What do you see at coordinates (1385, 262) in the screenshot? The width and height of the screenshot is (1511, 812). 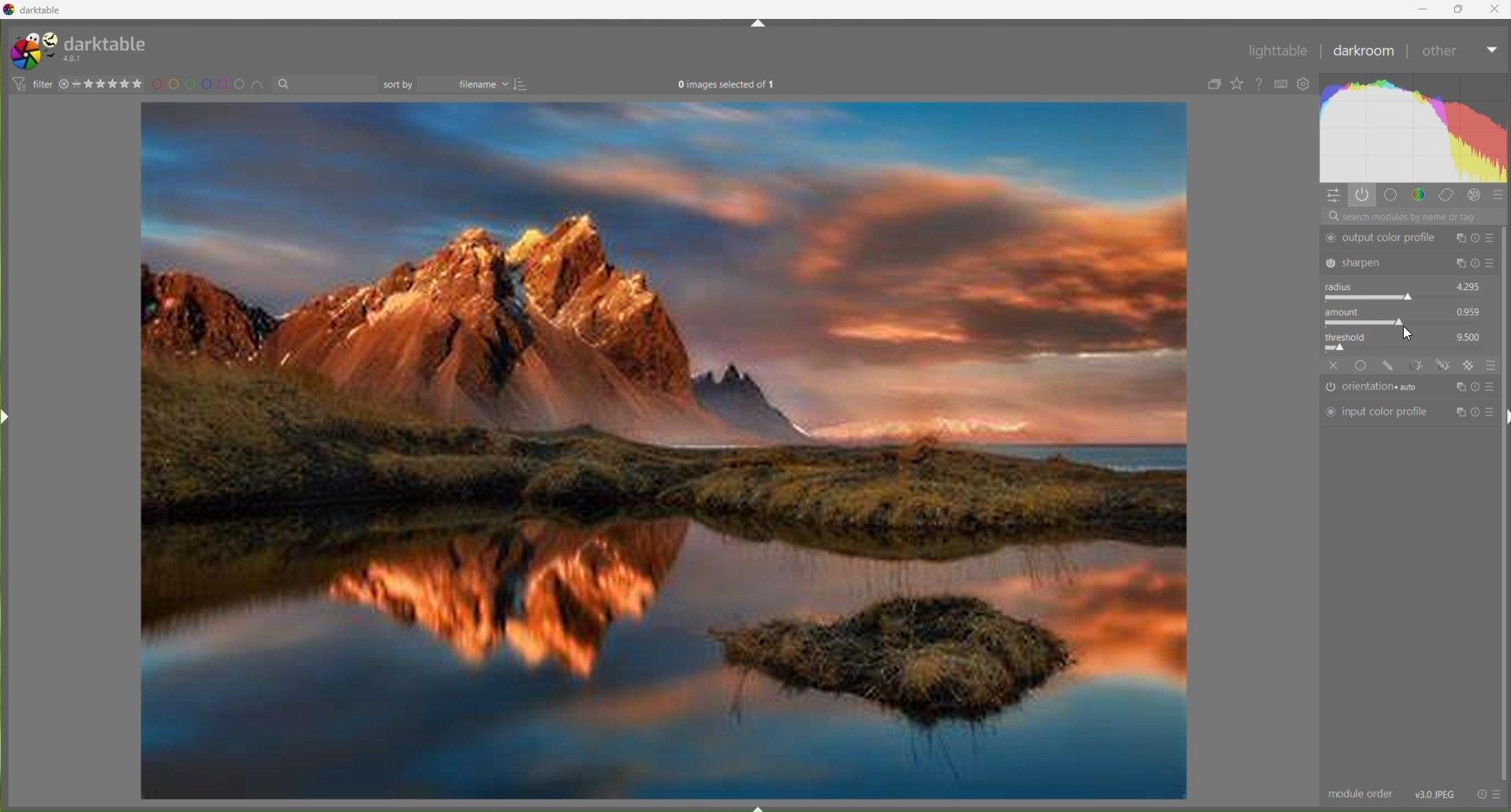 I see `Sharpen` at bounding box center [1385, 262].